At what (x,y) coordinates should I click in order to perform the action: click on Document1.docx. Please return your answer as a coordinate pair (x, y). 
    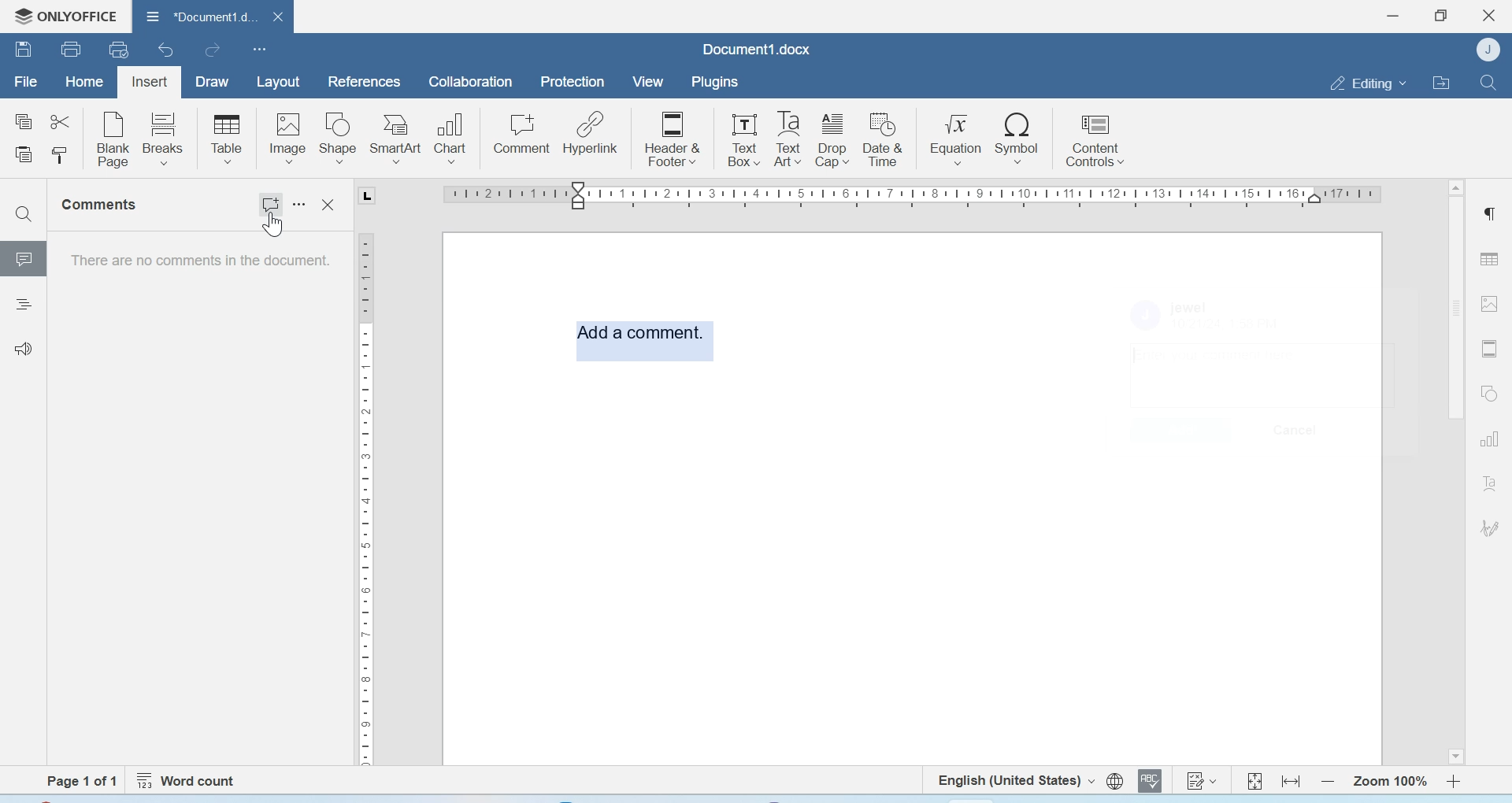
    Looking at the image, I should click on (198, 13).